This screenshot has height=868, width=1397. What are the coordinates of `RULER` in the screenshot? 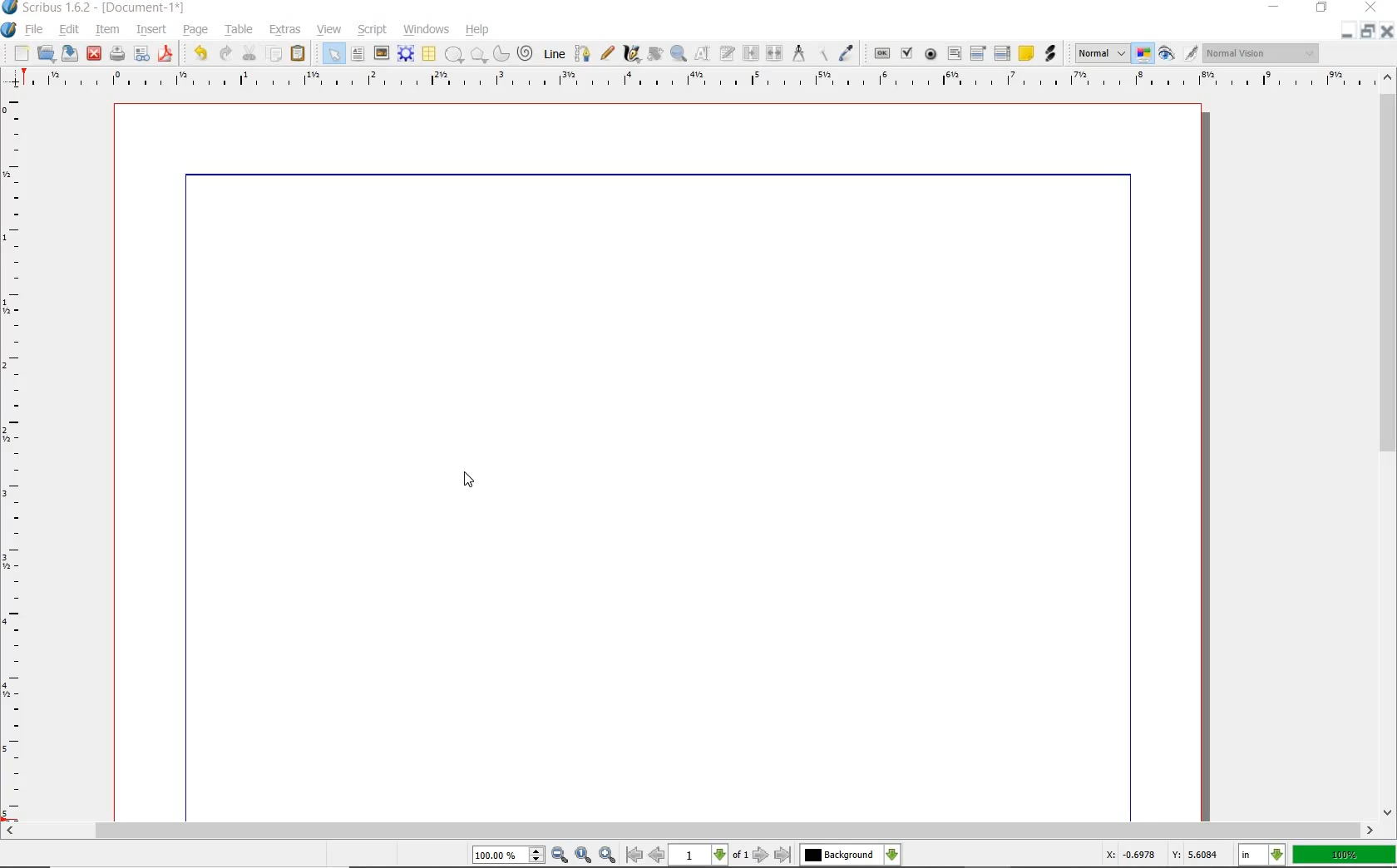 It's located at (14, 461).